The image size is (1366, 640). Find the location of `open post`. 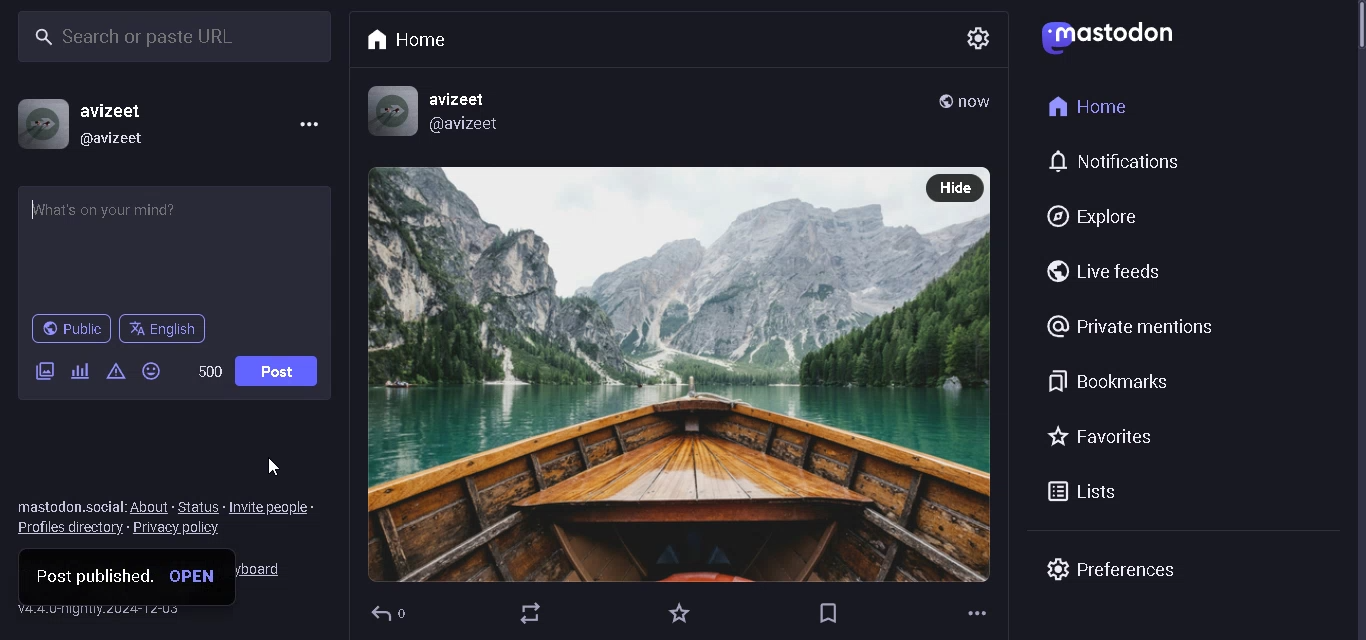

open post is located at coordinates (197, 577).